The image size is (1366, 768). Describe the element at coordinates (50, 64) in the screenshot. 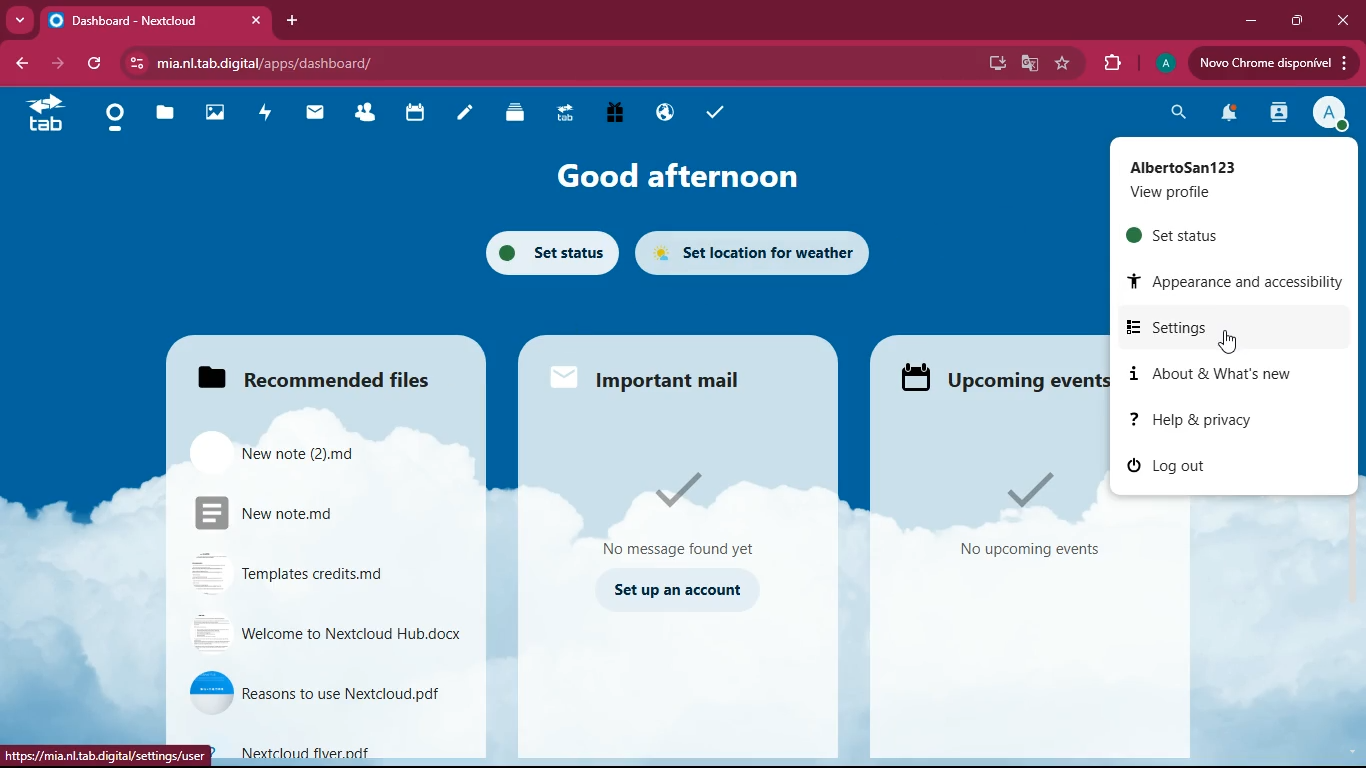

I see `forward` at that location.